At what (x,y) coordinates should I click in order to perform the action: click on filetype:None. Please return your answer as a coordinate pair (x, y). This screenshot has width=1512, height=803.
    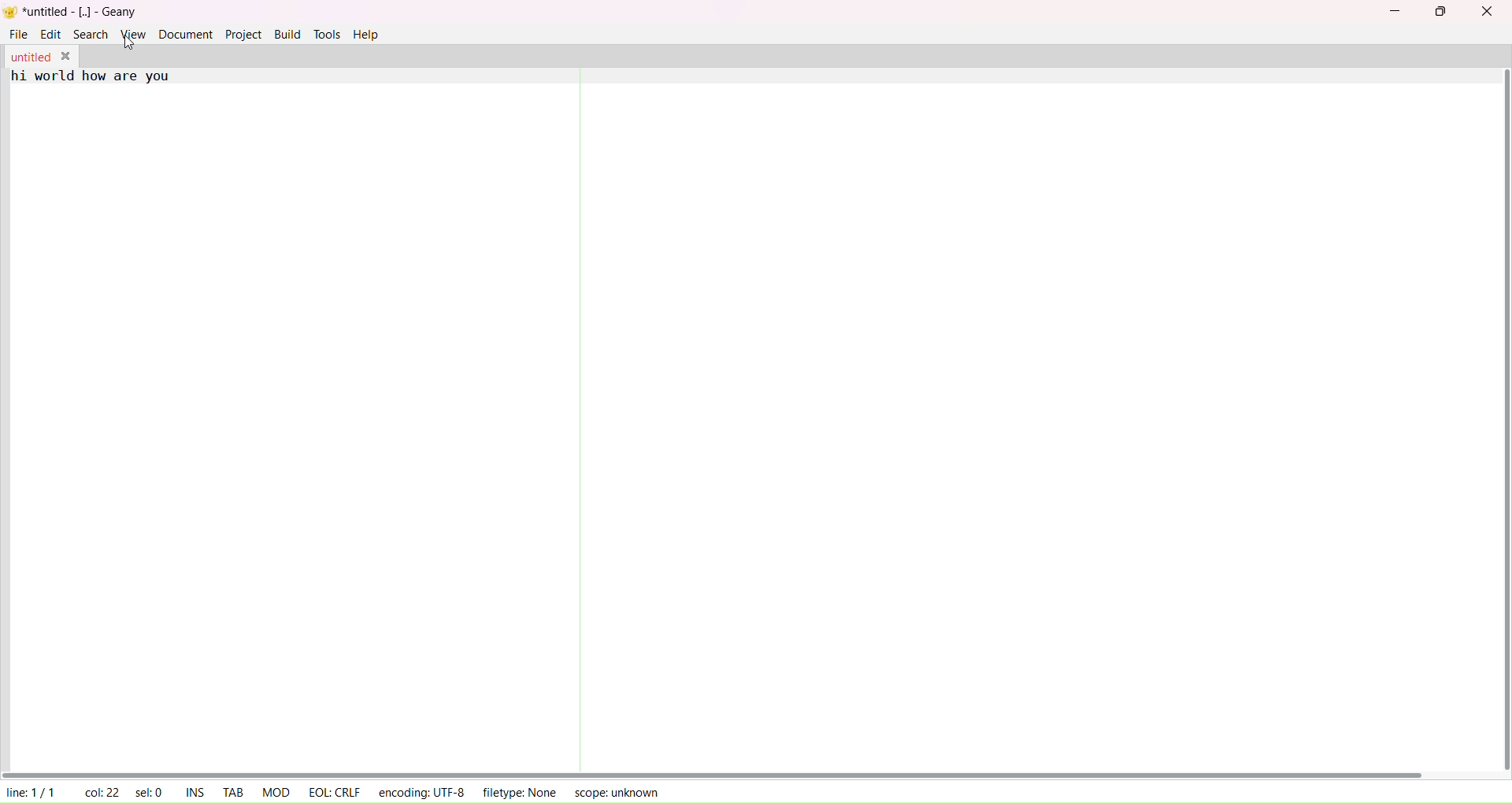
    Looking at the image, I should click on (521, 790).